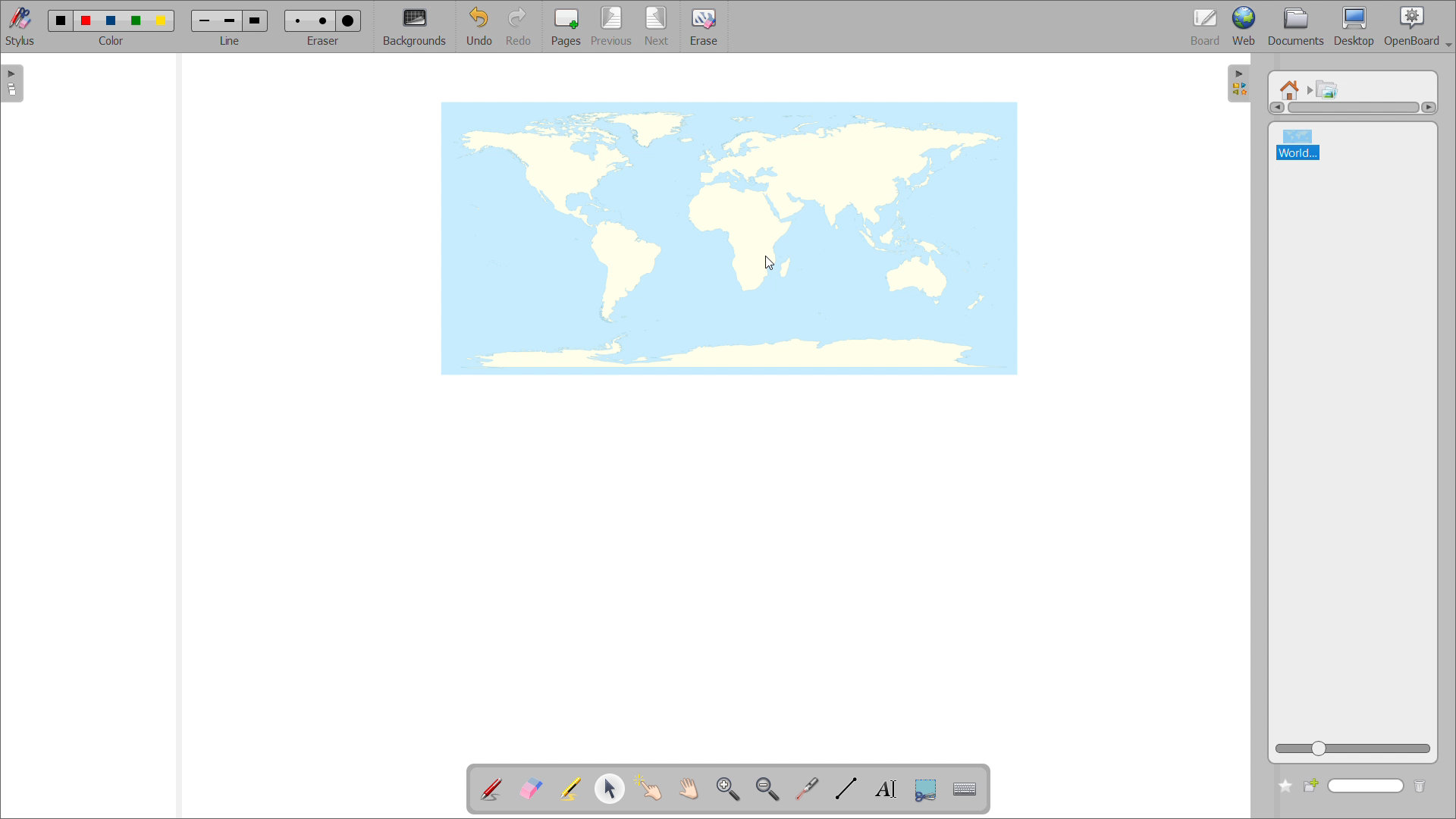  What do you see at coordinates (886, 789) in the screenshot?
I see `write text` at bounding box center [886, 789].